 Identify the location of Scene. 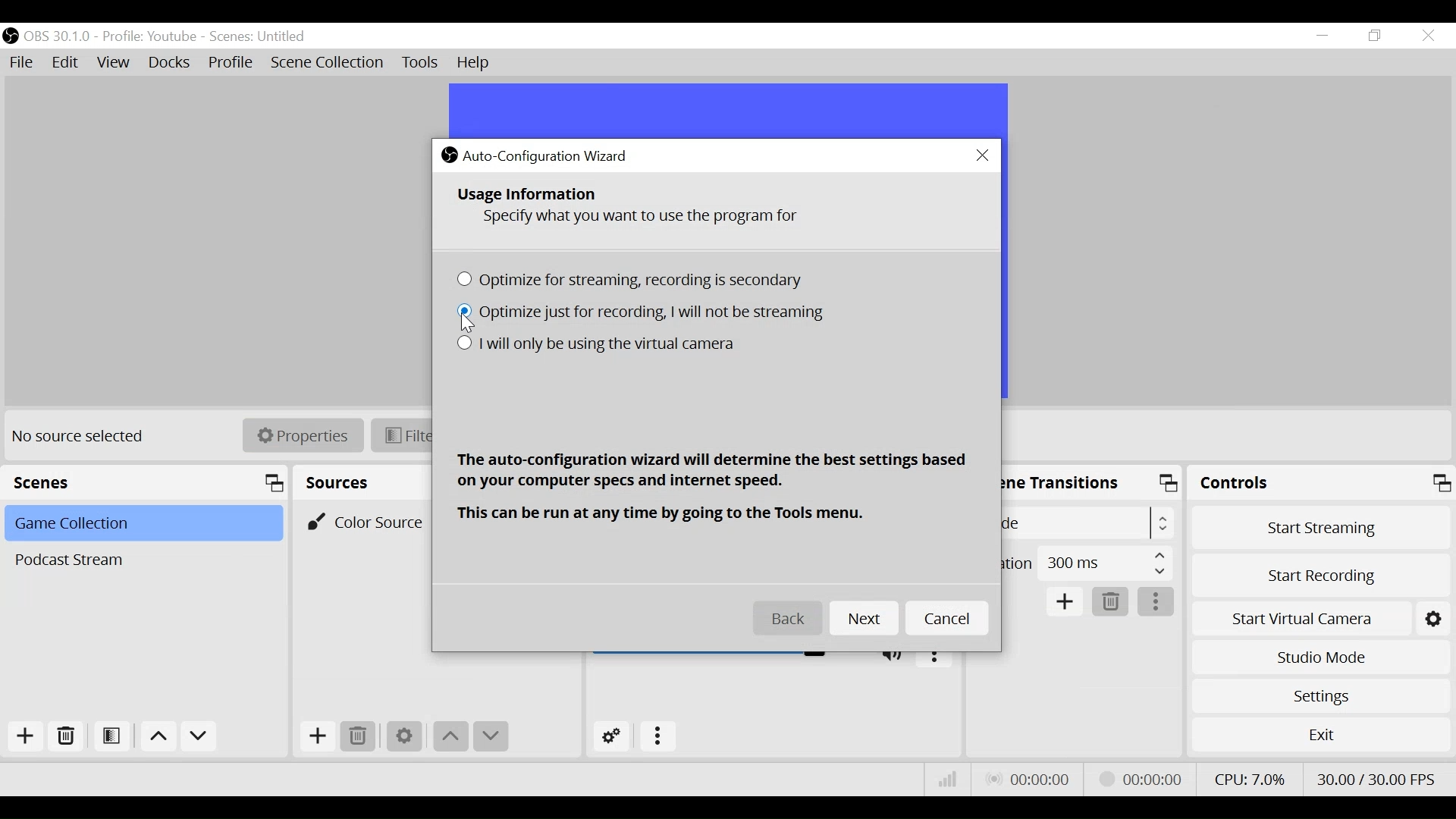
(141, 525).